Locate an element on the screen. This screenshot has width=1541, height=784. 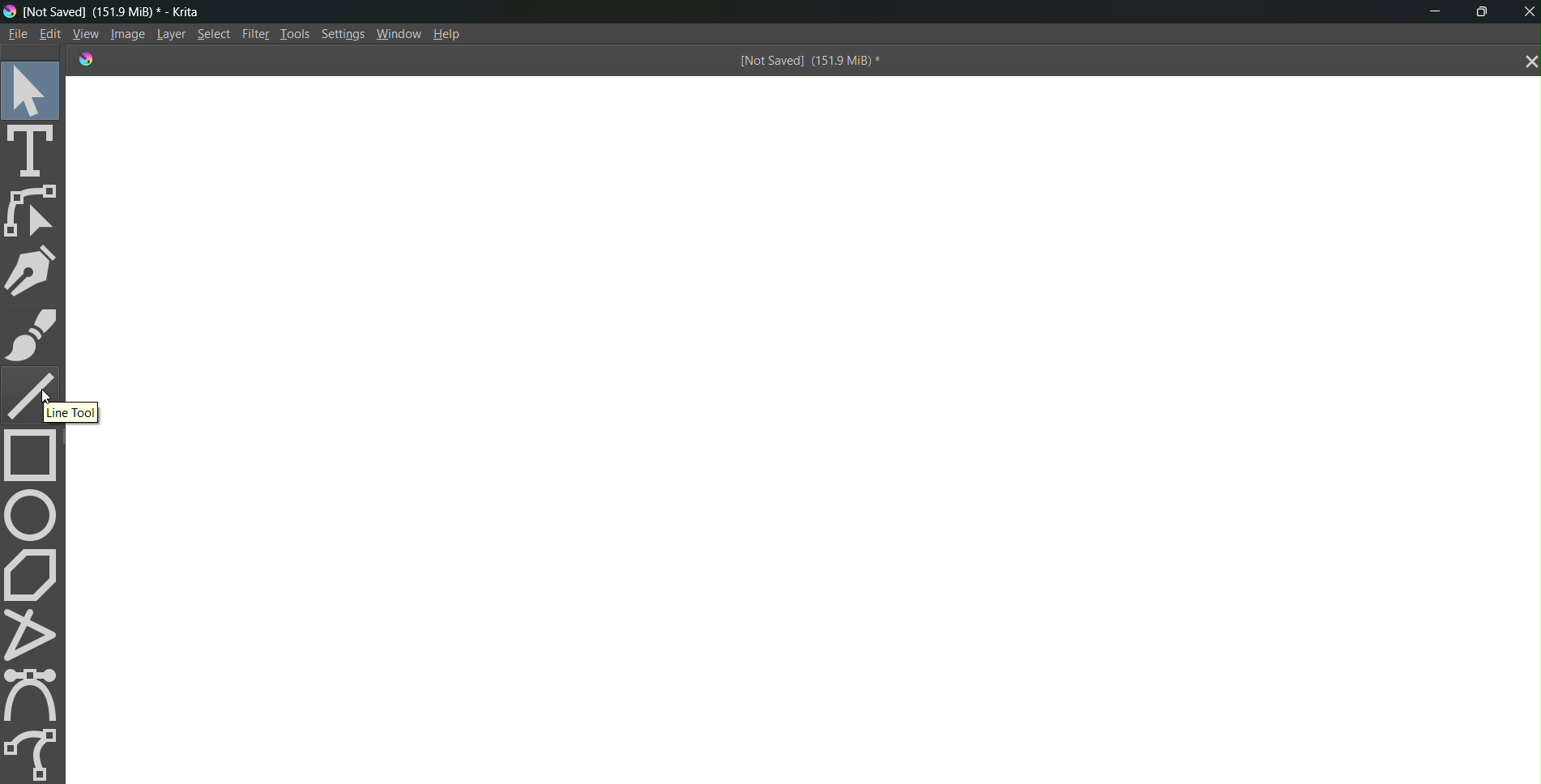
edit shape is located at coordinates (35, 211).